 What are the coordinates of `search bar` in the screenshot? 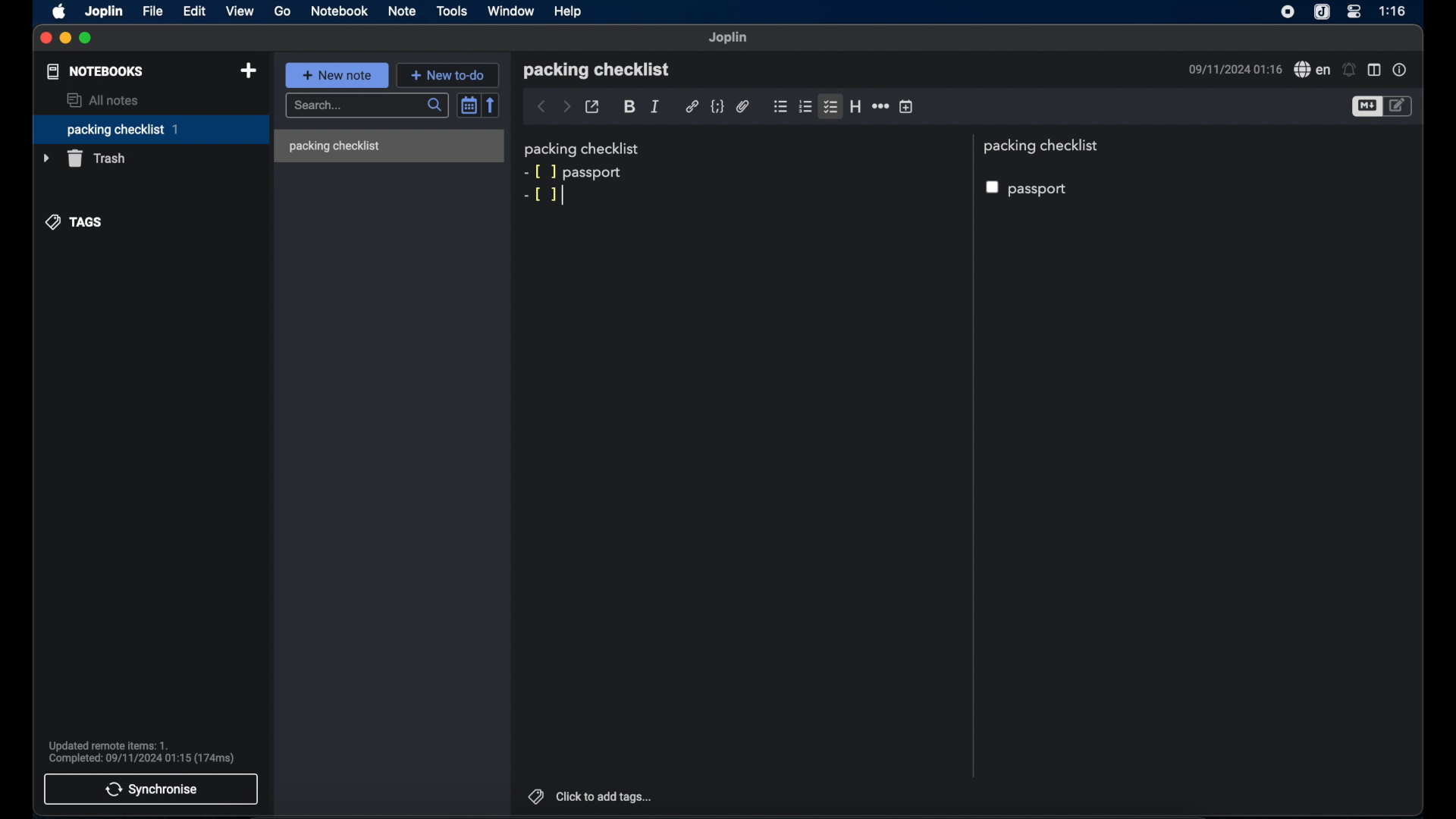 It's located at (366, 105).